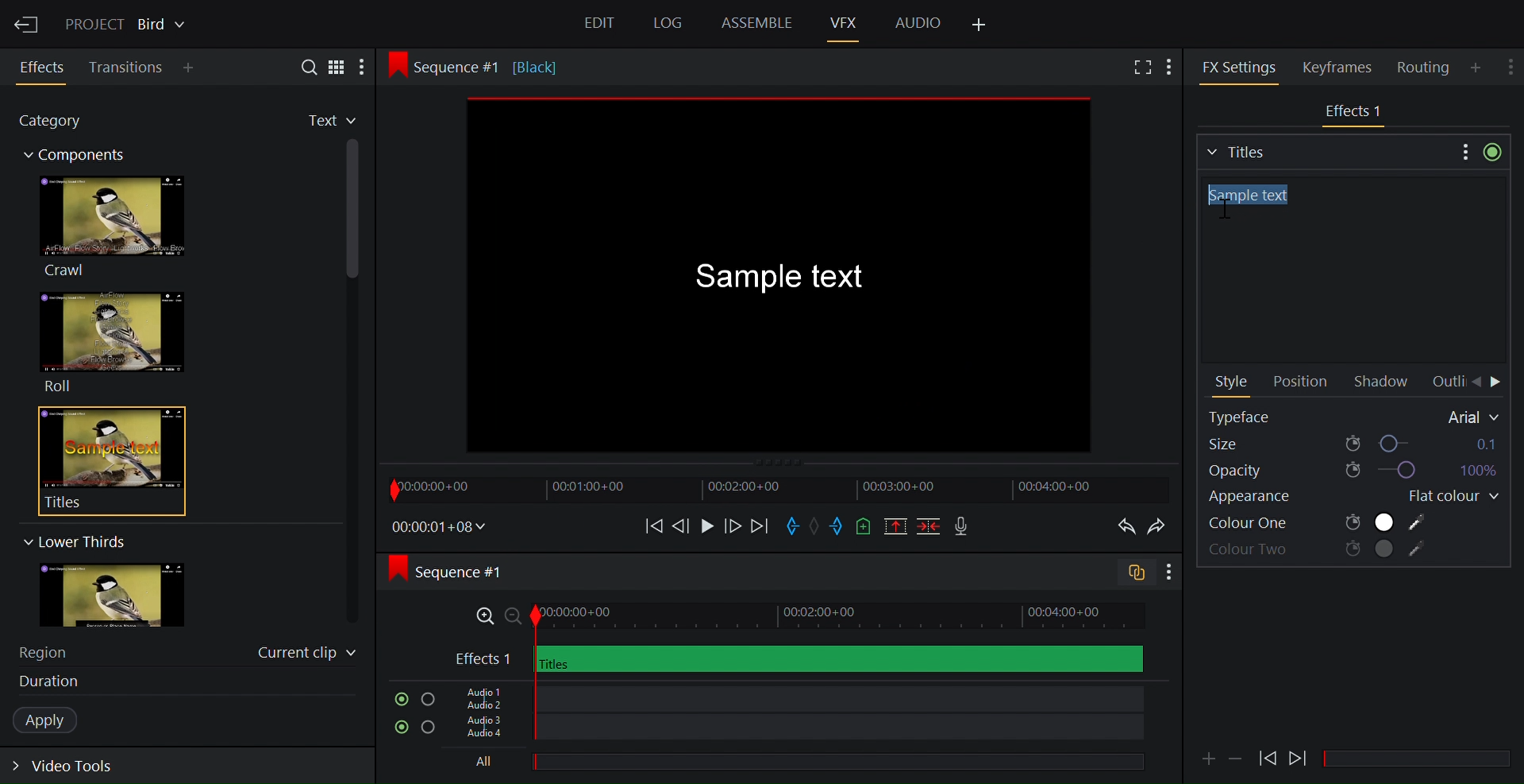  Describe the element at coordinates (1344, 67) in the screenshot. I see `Keyframes` at that location.